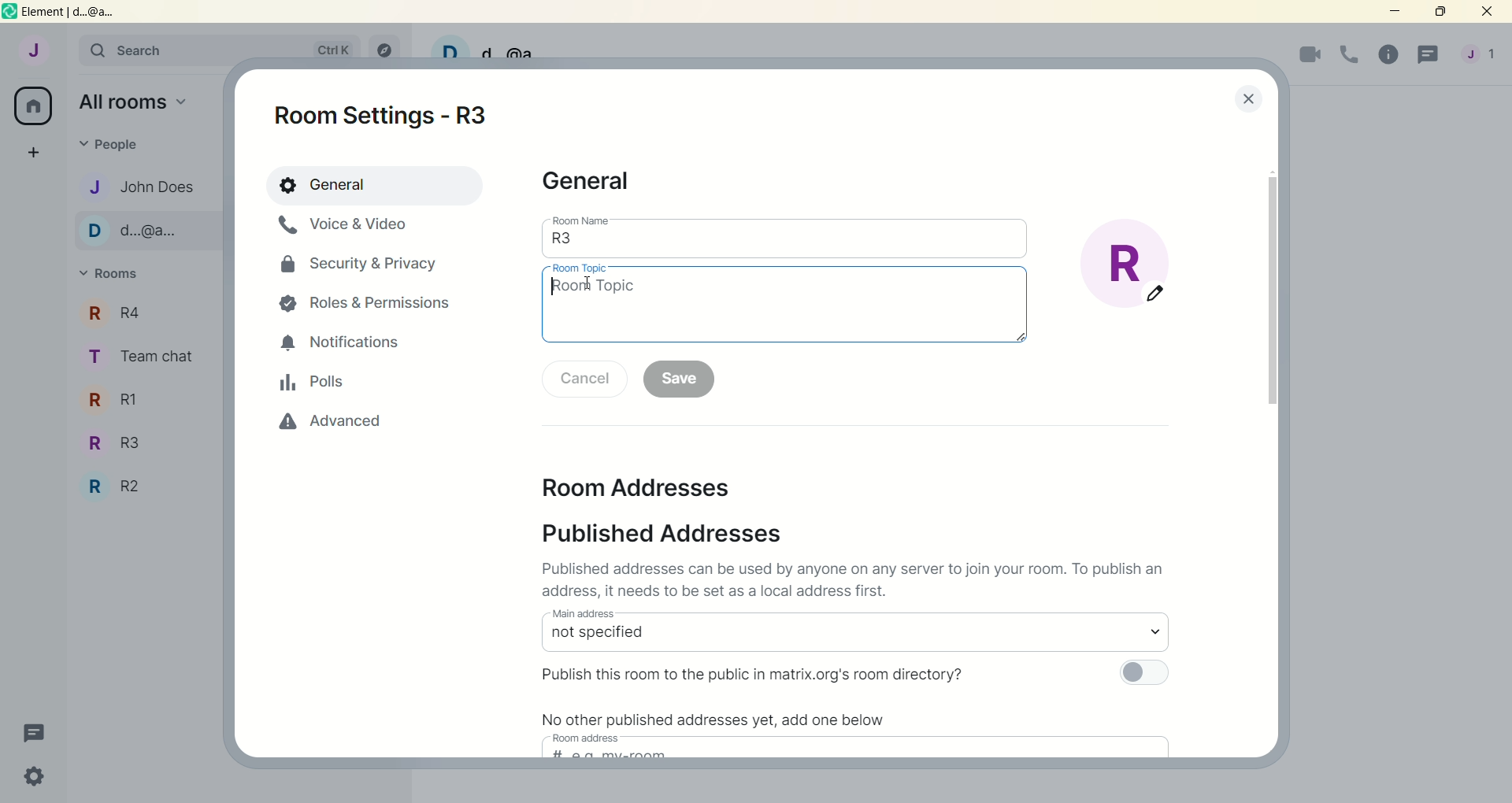 Image resolution: width=1512 pixels, height=803 pixels. Describe the element at coordinates (1398, 14) in the screenshot. I see `minimize` at that location.